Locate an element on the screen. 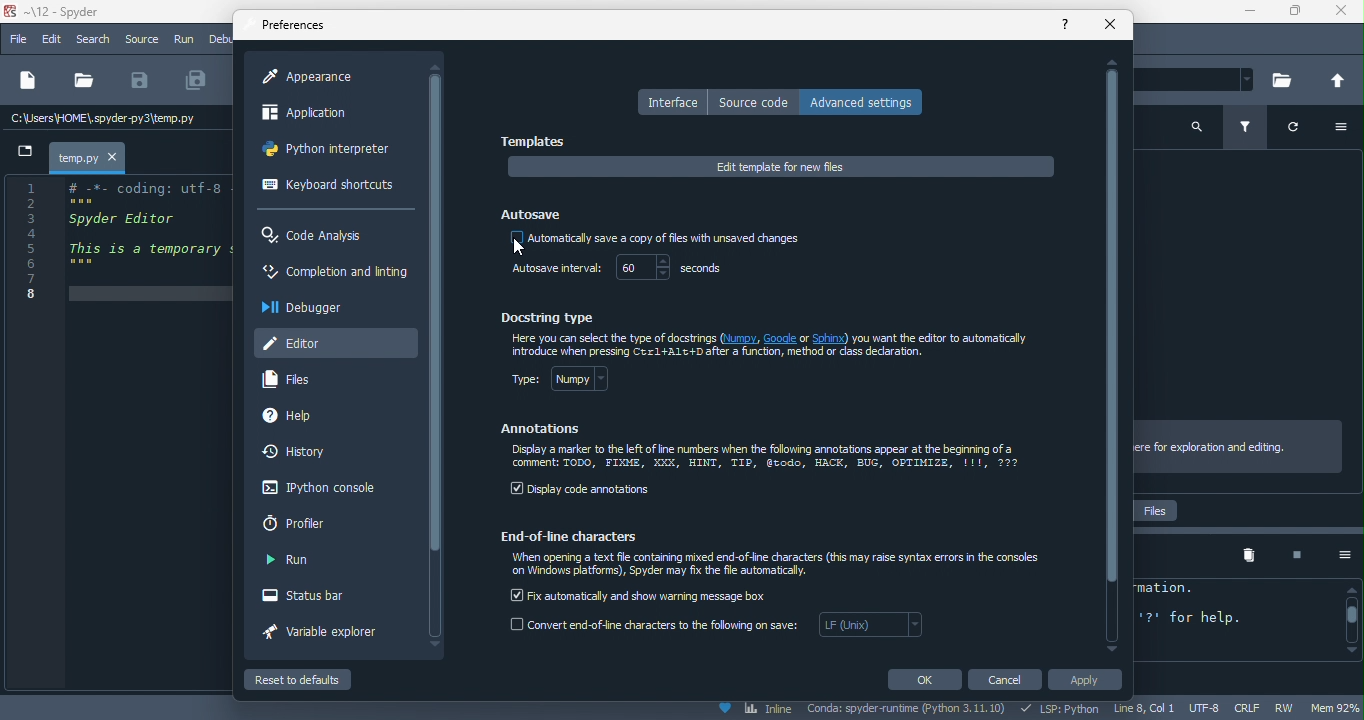 This screenshot has height=720, width=1364. maximize is located at coordinates (1293, 14).